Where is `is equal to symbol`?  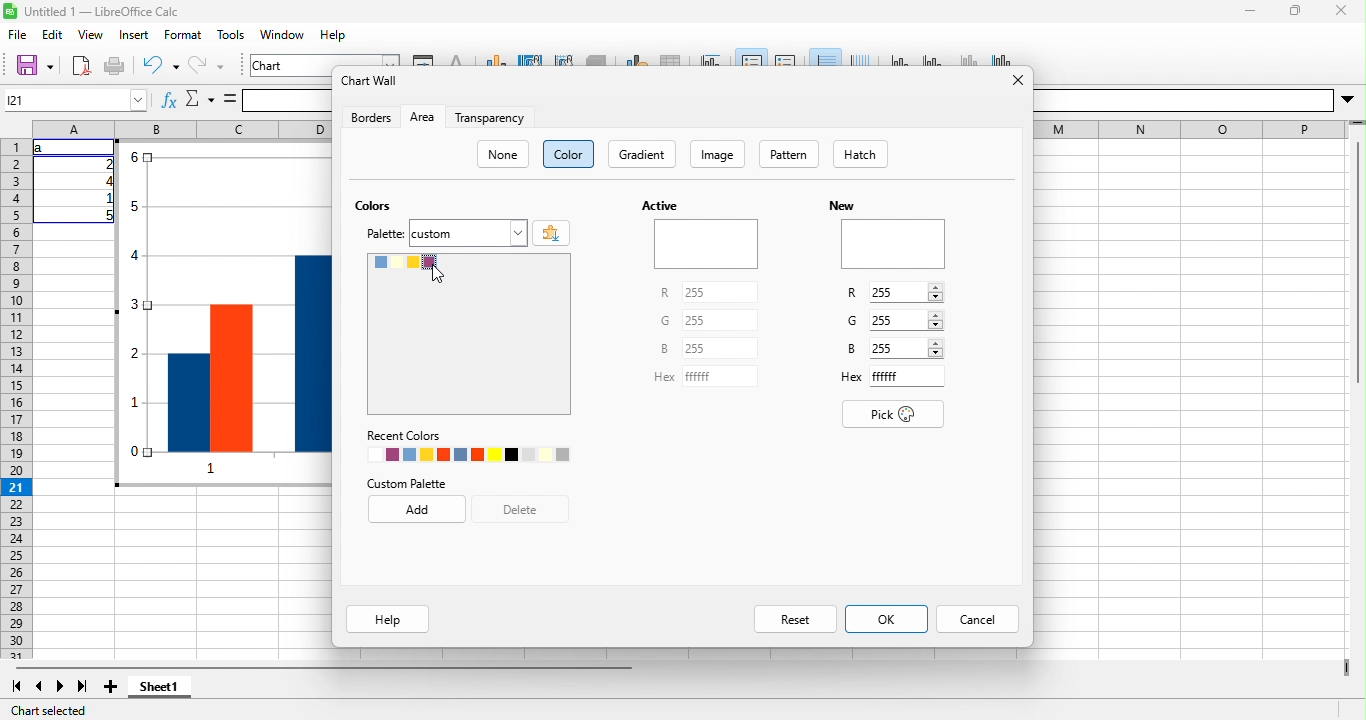 is equal to symbol is located at coordinates (230, 99).